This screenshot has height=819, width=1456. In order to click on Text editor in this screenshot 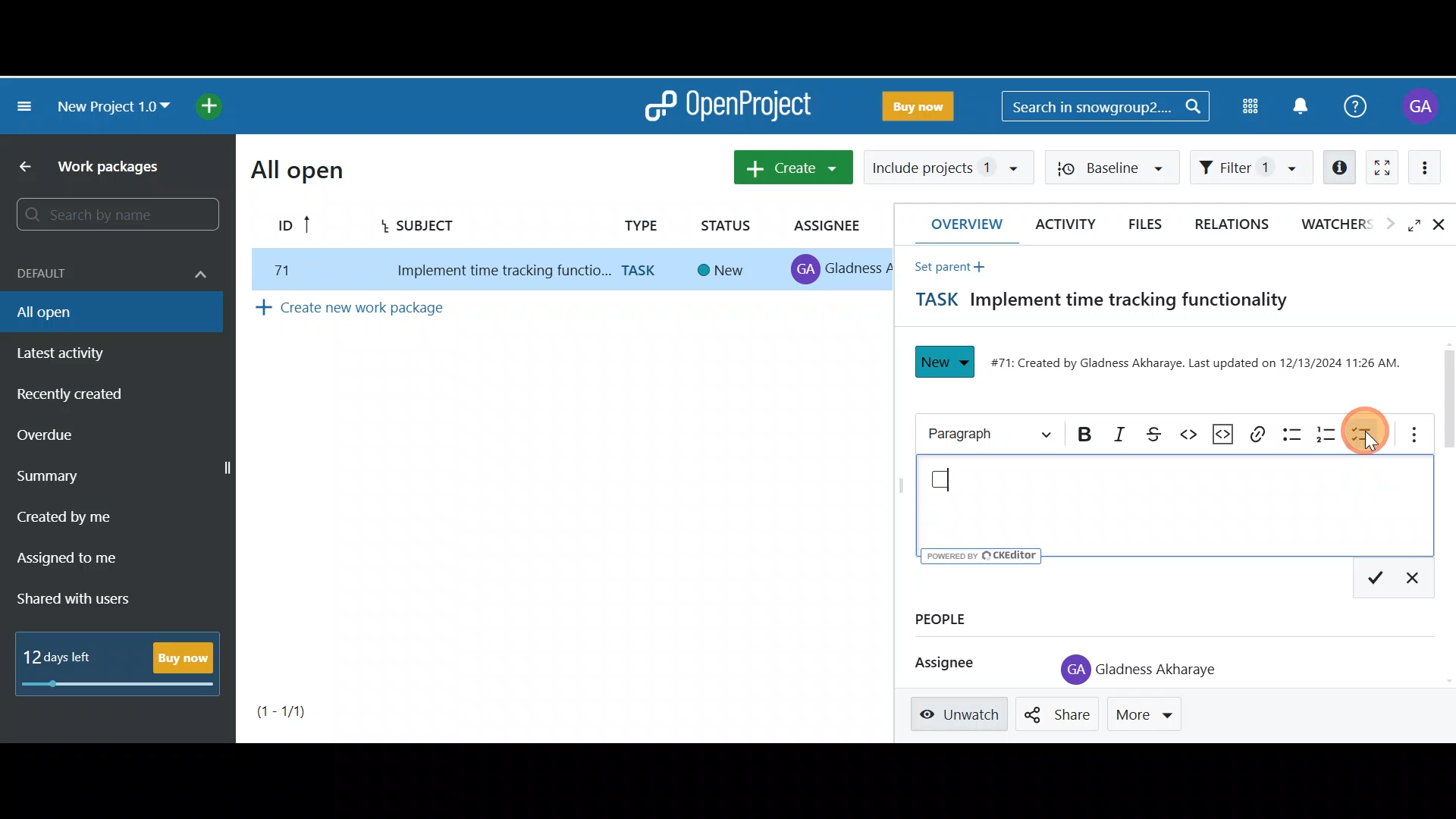, I will do `click(1177, 500)`.